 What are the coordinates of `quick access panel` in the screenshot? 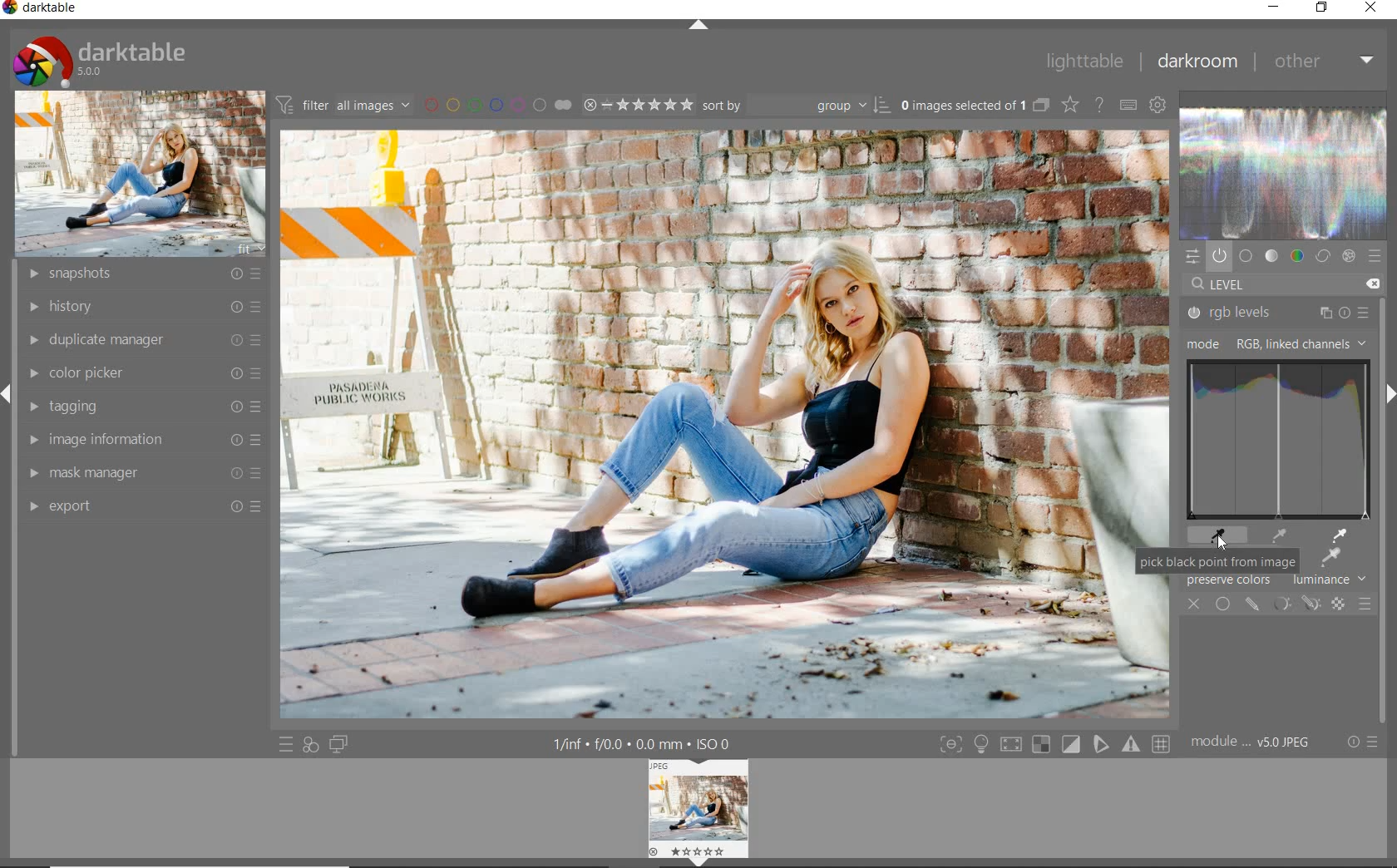 It's located at (1193, 257).